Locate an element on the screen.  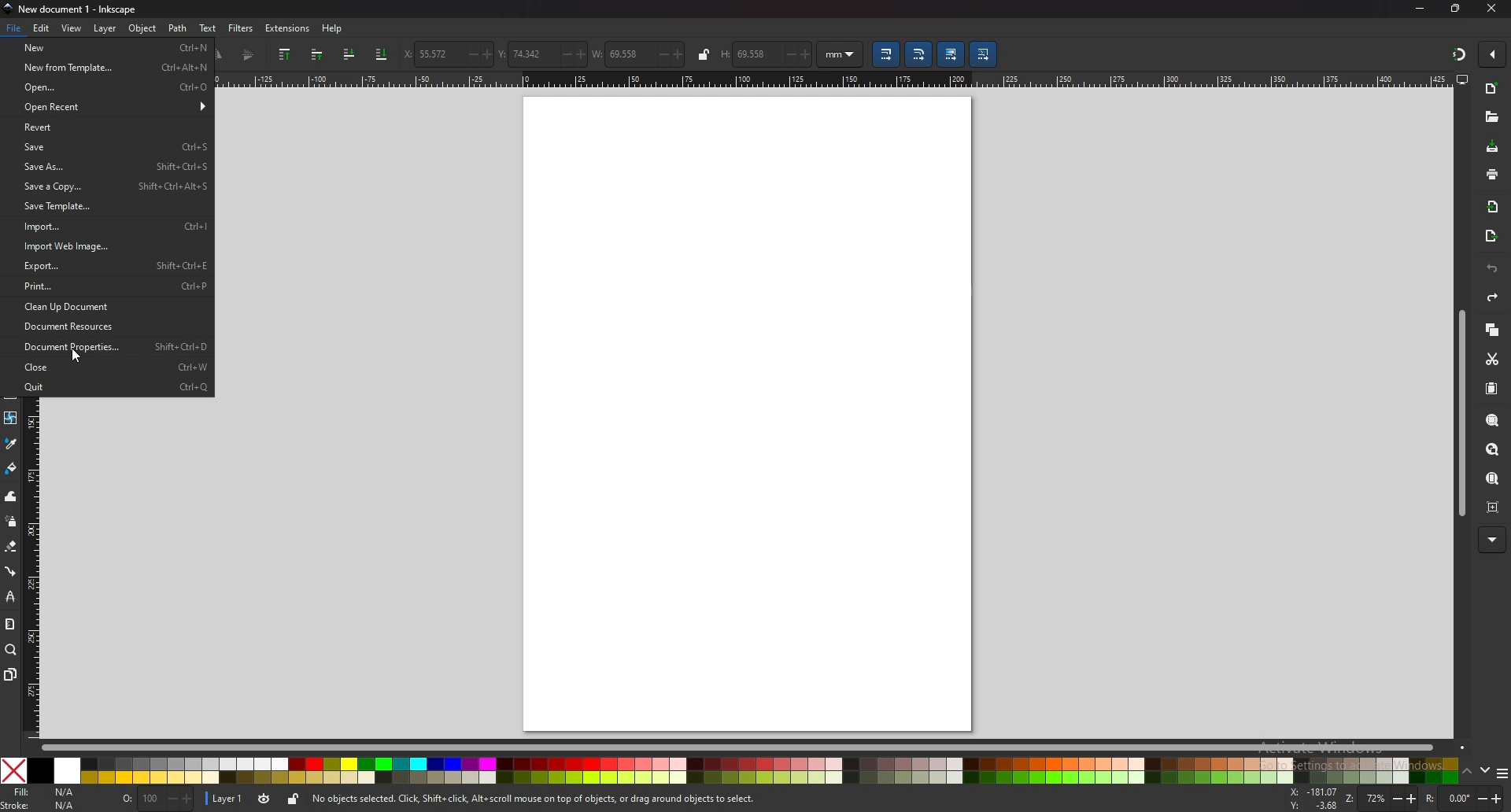
lock is located at coordinates (704, 54).